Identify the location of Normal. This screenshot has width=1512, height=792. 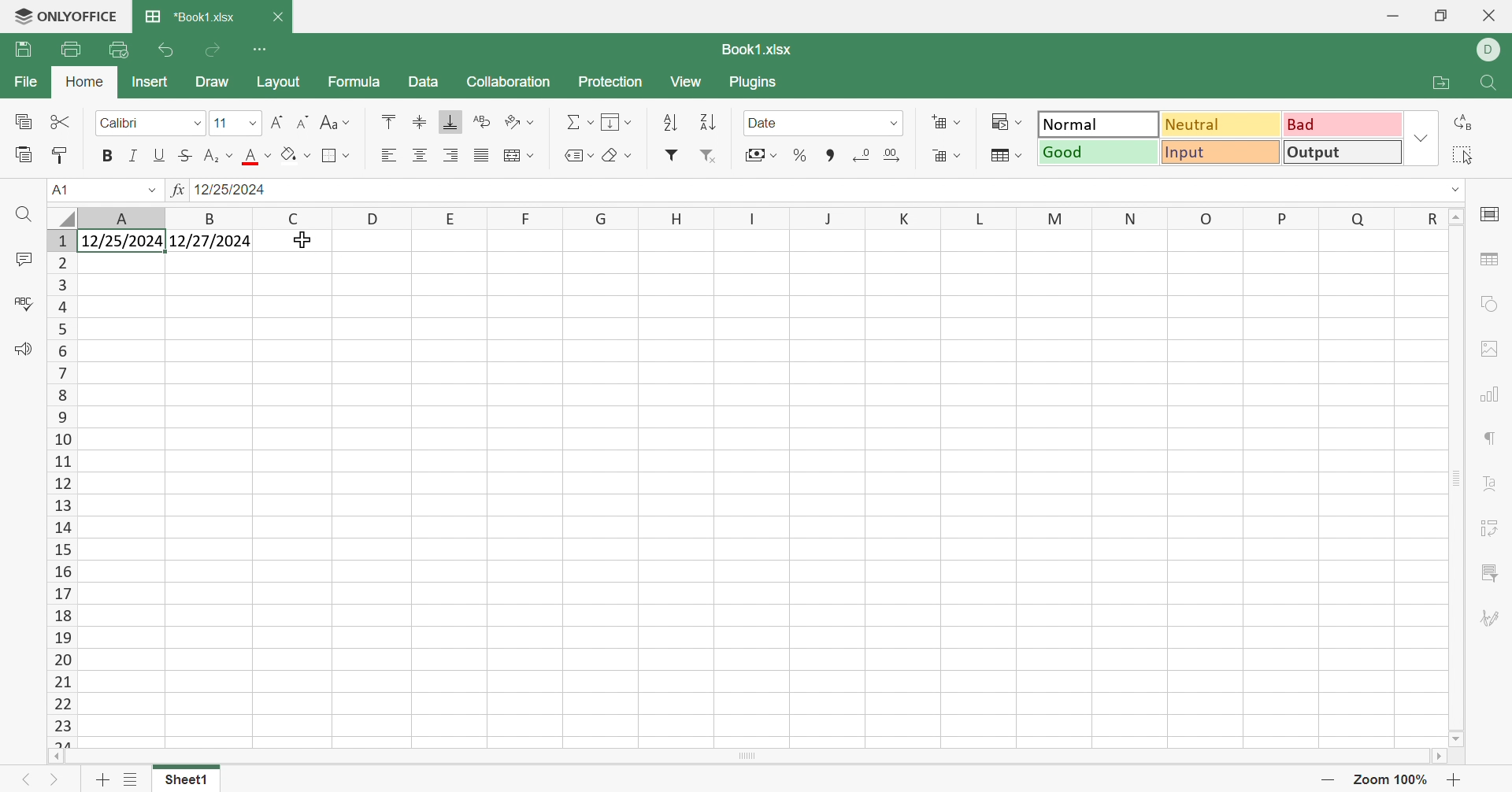
(1099, 124).